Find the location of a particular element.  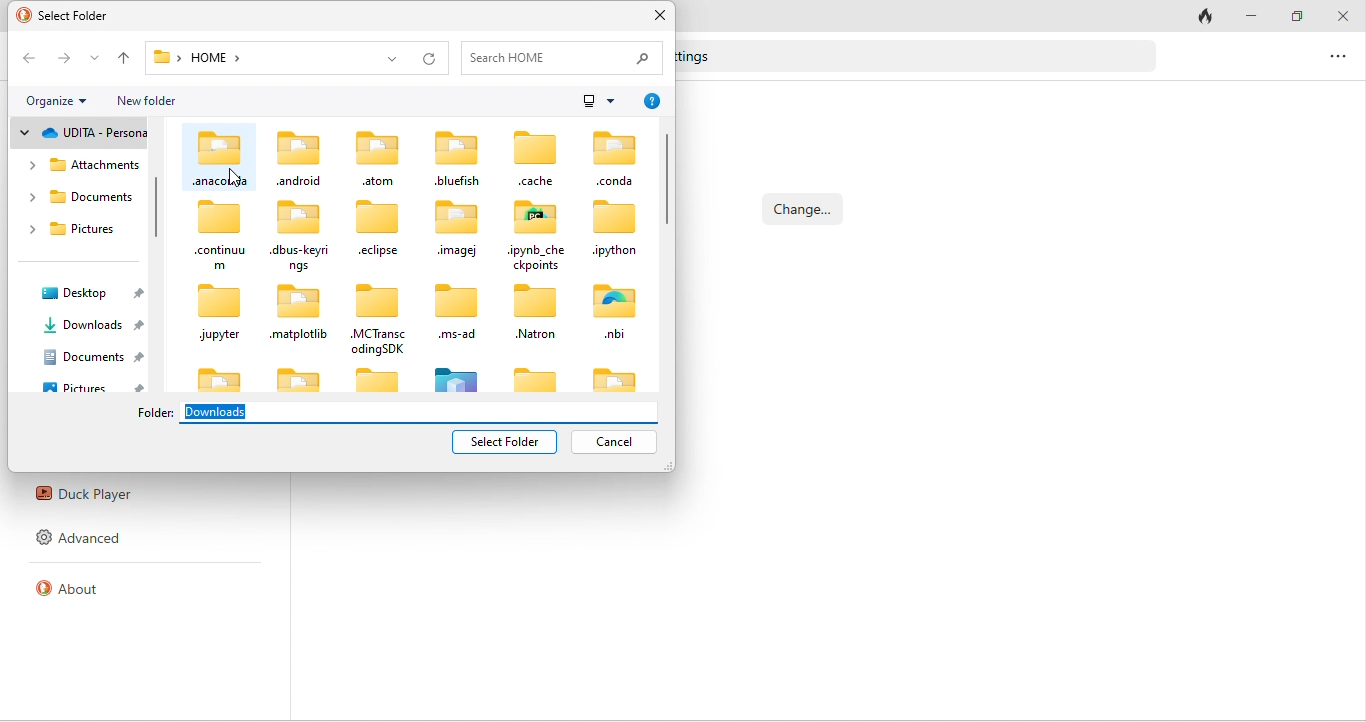

.bluefish is located at coordinates (457, 160).